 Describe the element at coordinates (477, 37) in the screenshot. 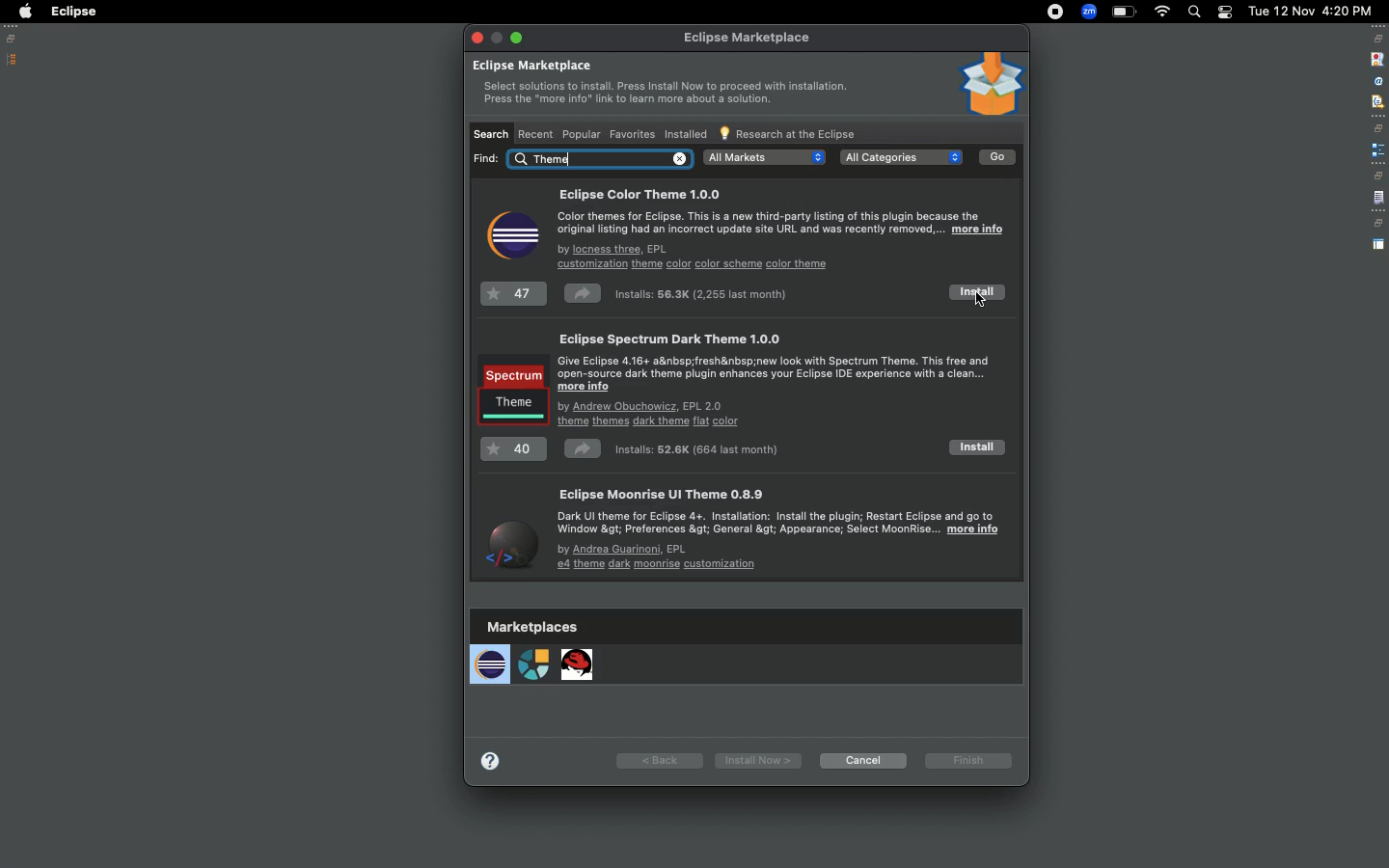

I see `close` at that location.